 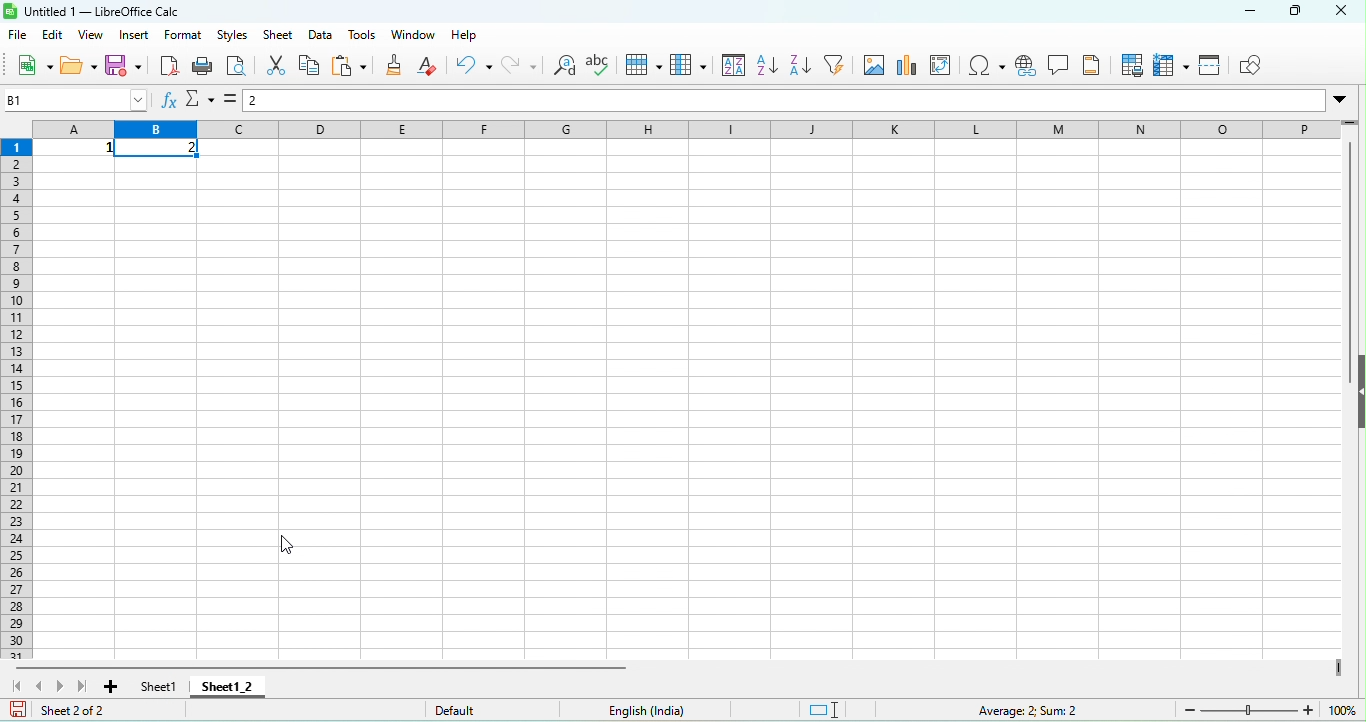 I want to click on untitled 1-libre office calc, so click(x=102, y=10).